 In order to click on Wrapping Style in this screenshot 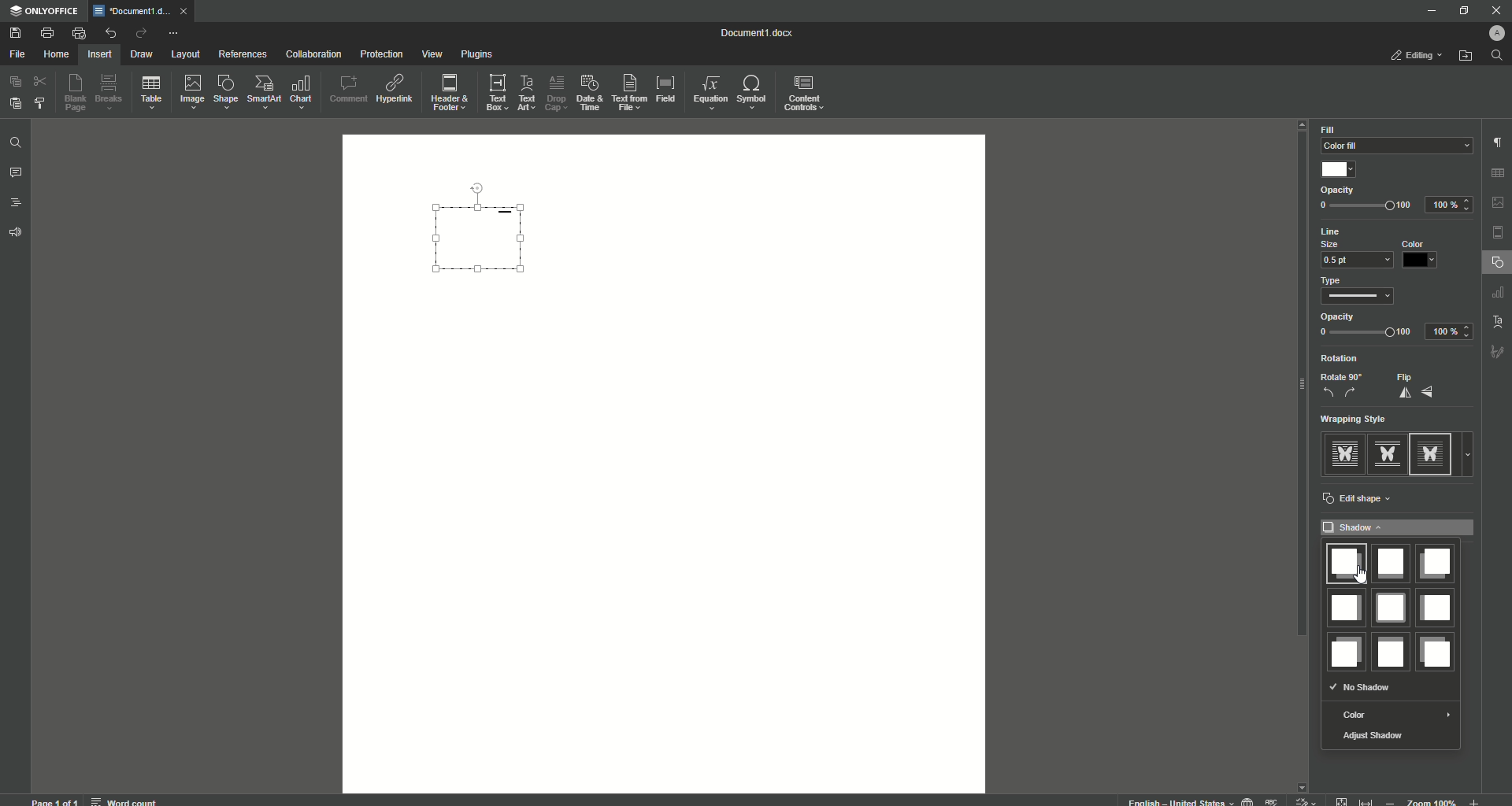, I will do `click(1361, 420)`.